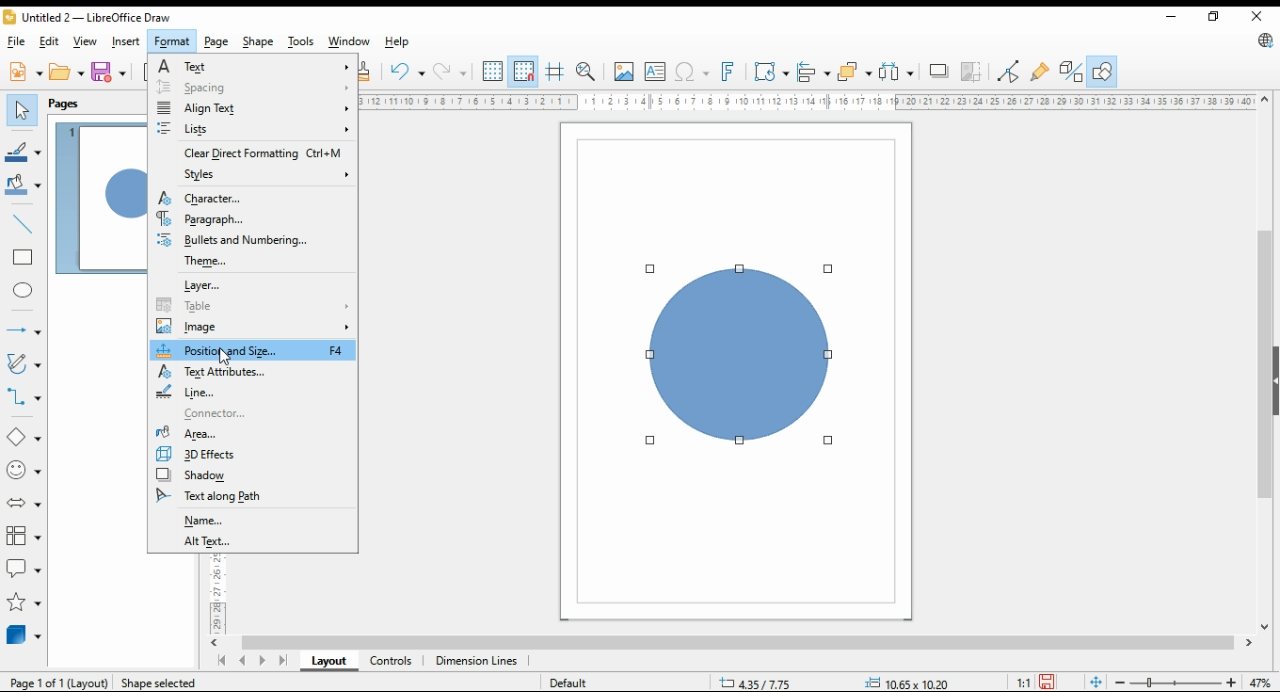 The width and height of the screenshot is (1280, 692). I want to click on default, so click(572, 684).